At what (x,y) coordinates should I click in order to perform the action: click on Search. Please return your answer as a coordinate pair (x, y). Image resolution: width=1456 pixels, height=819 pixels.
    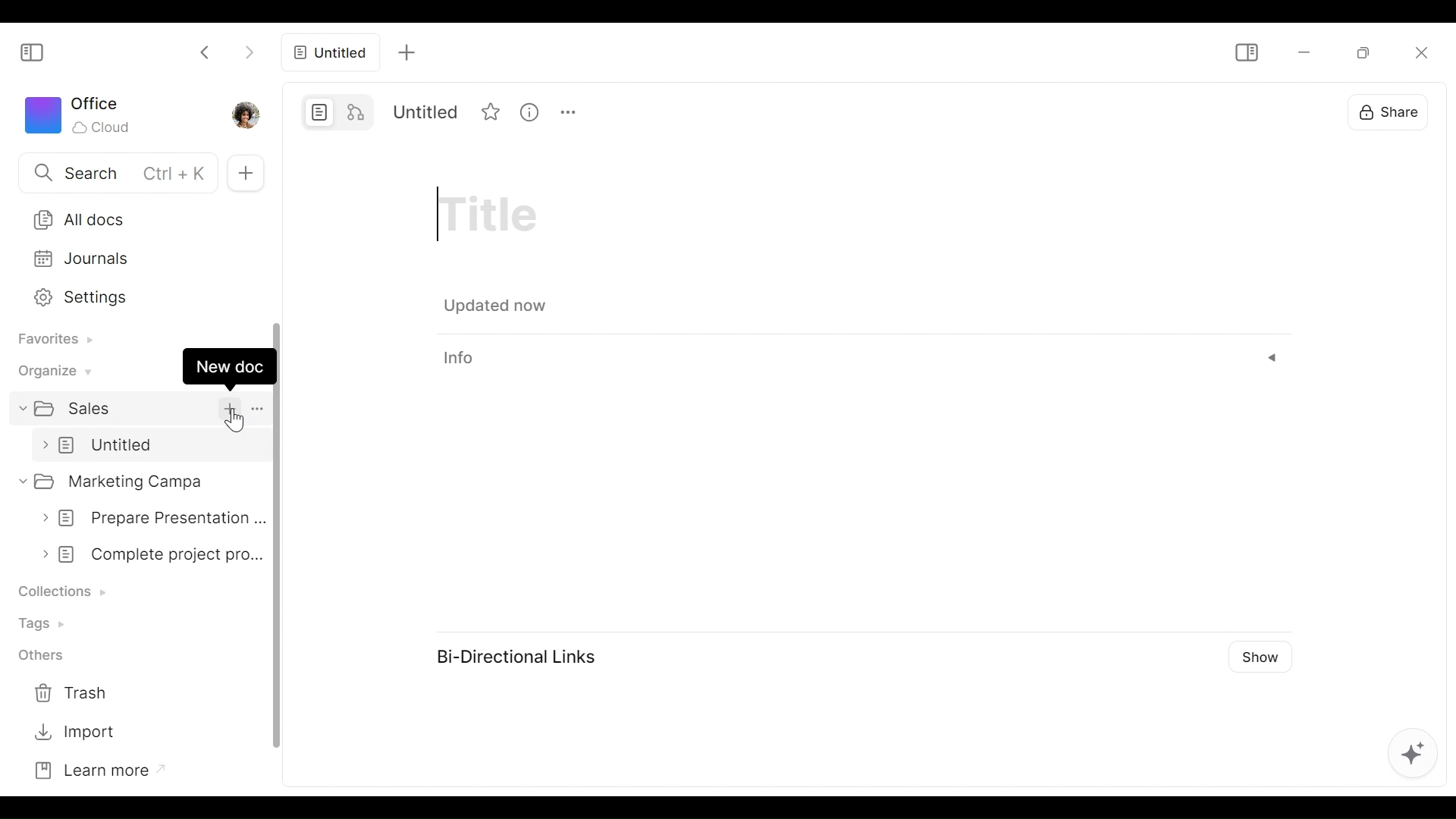
    Looking at the image, I should click on (115, 171).